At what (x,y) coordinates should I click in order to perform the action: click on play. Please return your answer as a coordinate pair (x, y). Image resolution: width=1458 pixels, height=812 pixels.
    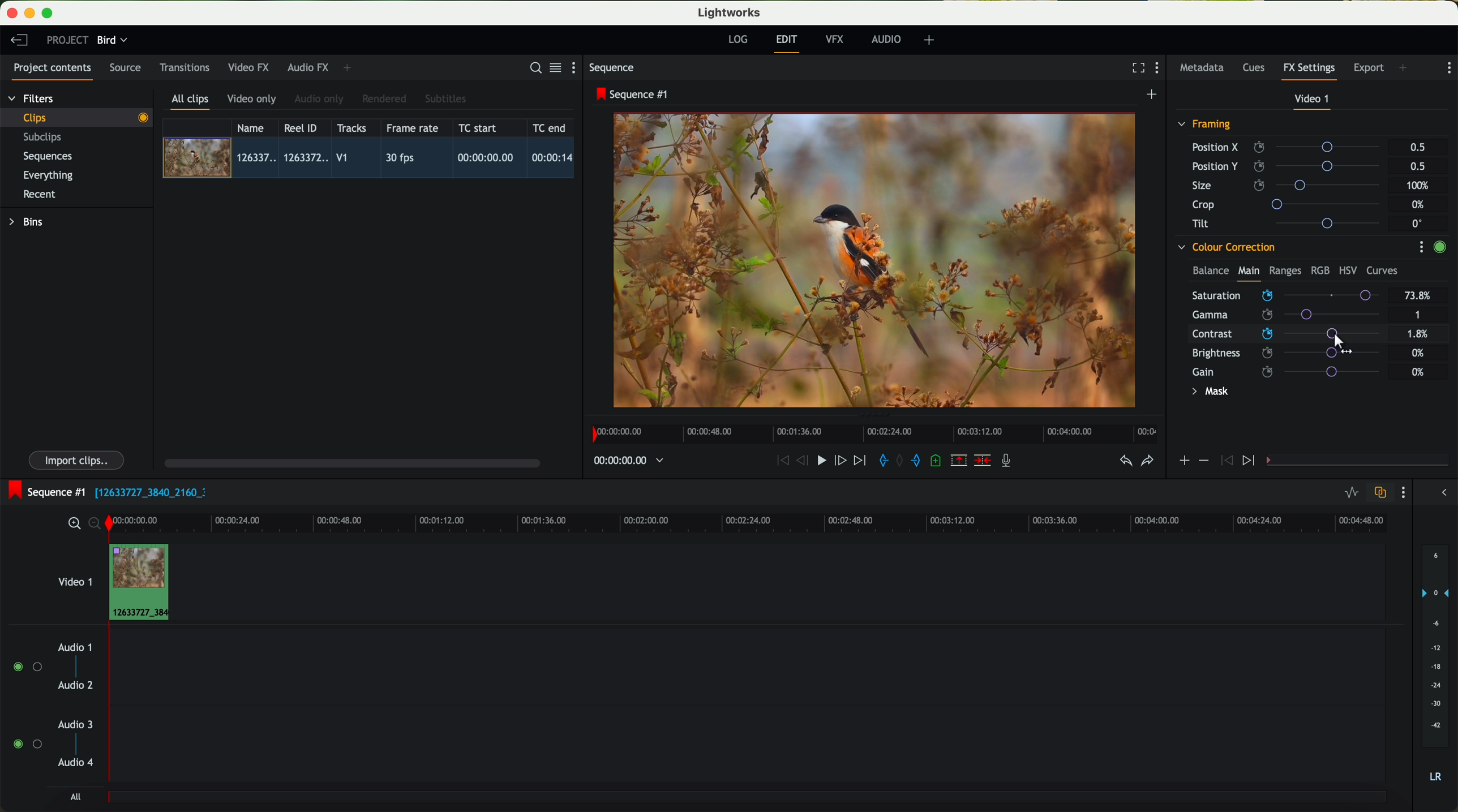
    Looking at the image, I should click on (821, 459).